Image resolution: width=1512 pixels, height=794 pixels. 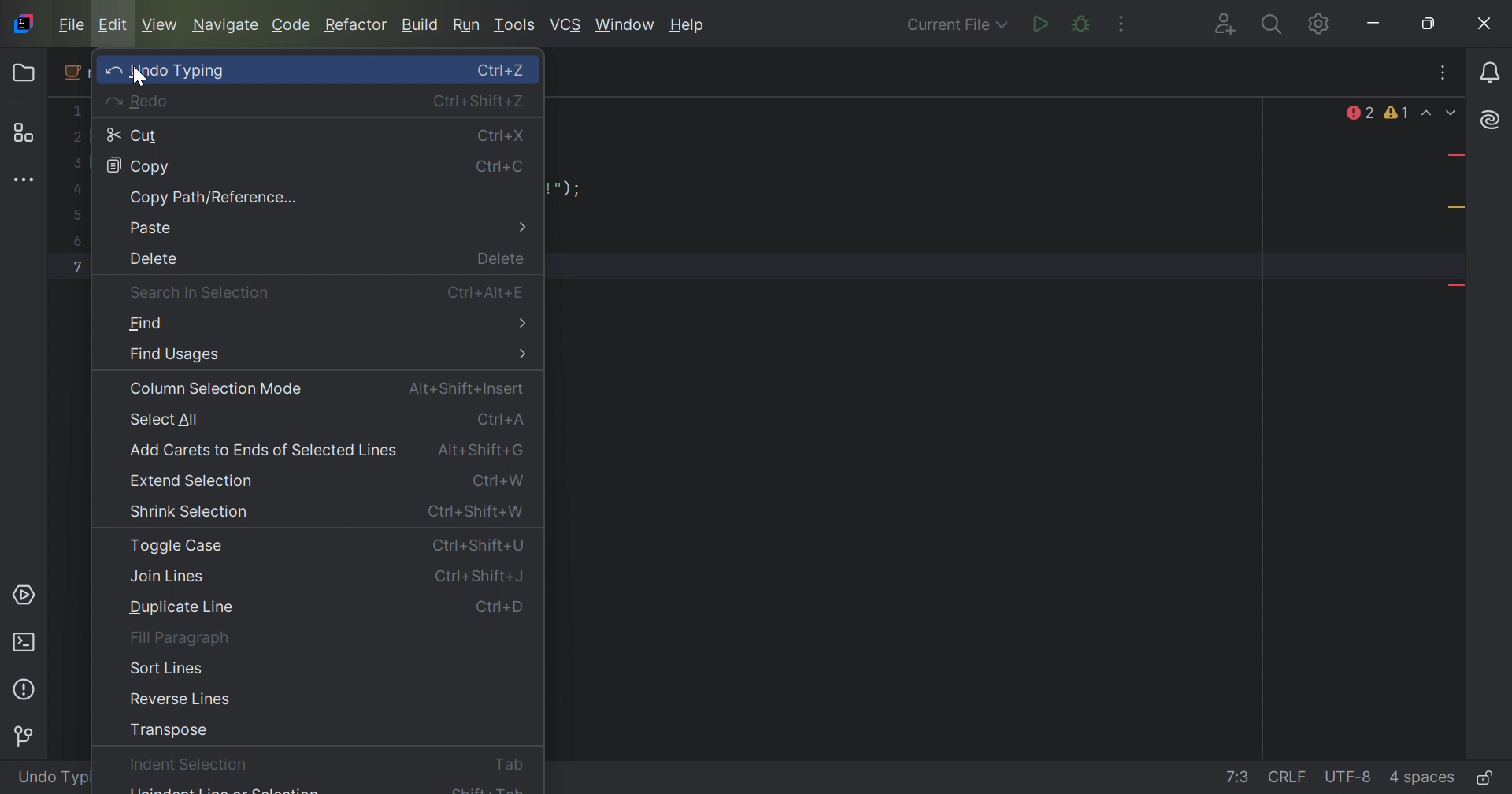 What do you see at coordinates (73, 139) in the screenshot?
I see `2` at bounding box center [73, 139].